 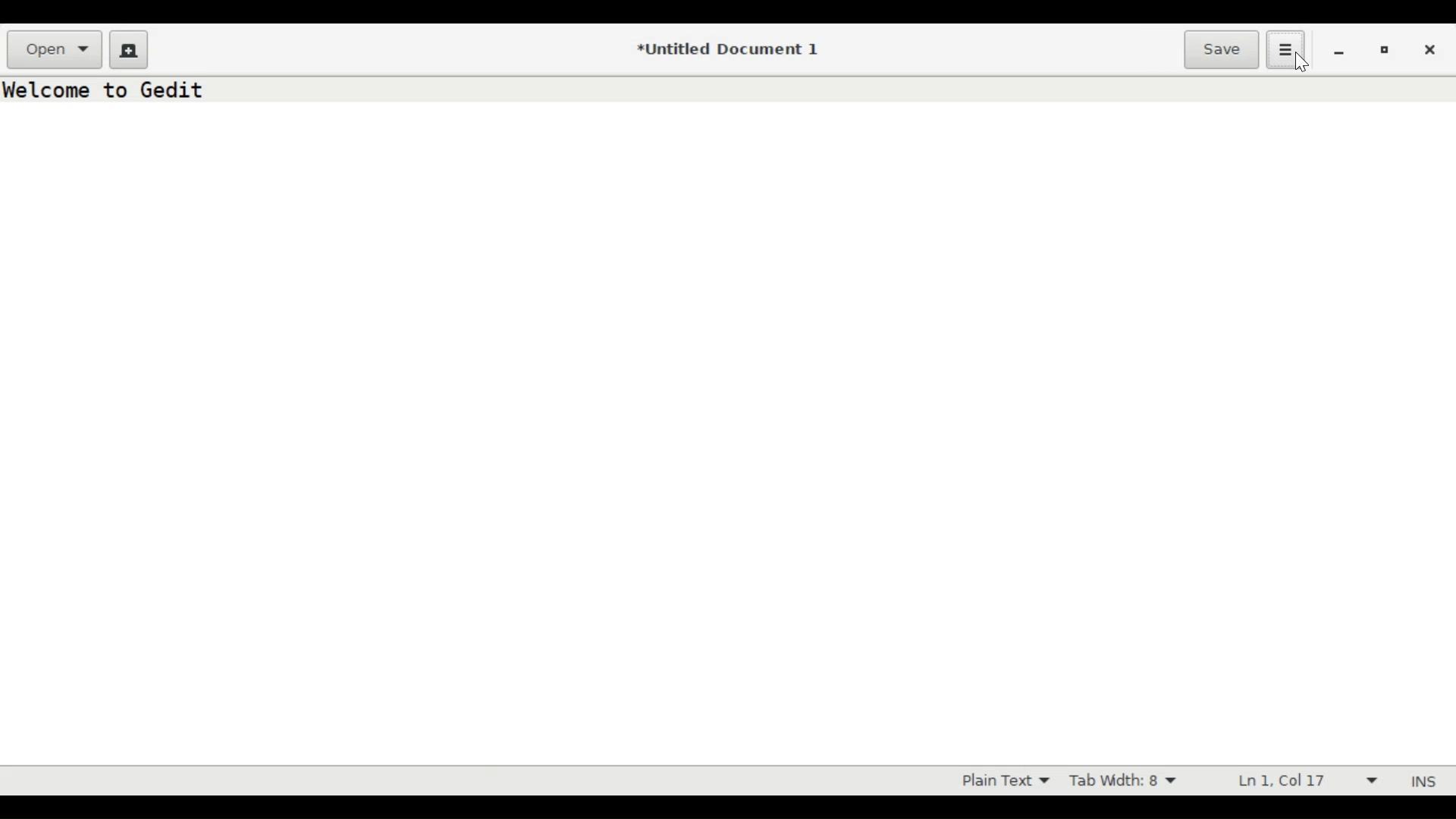 I want to click on Application menu, so click(x=1286, y=50).